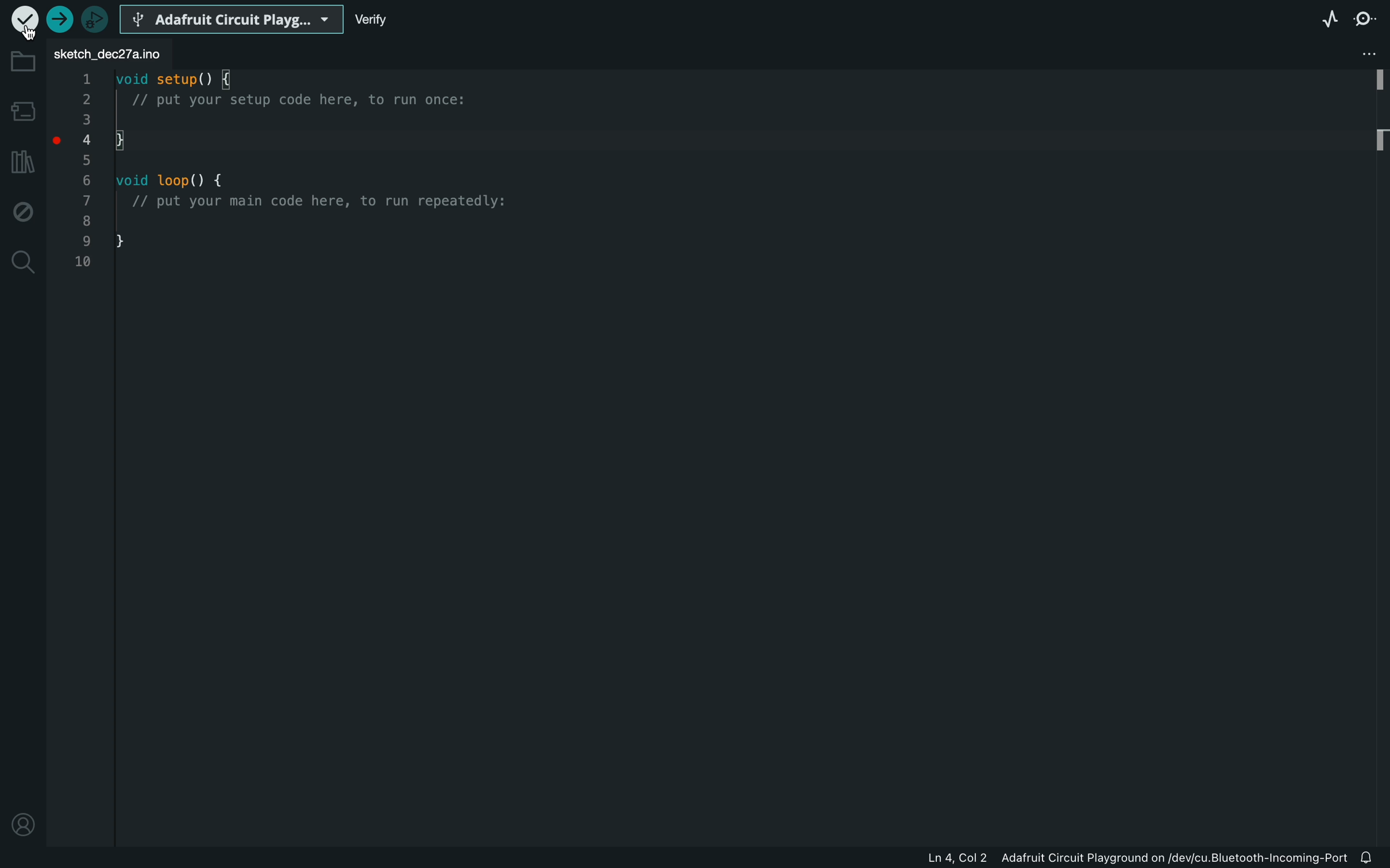  I want to click on debugger, so click(94, 17).